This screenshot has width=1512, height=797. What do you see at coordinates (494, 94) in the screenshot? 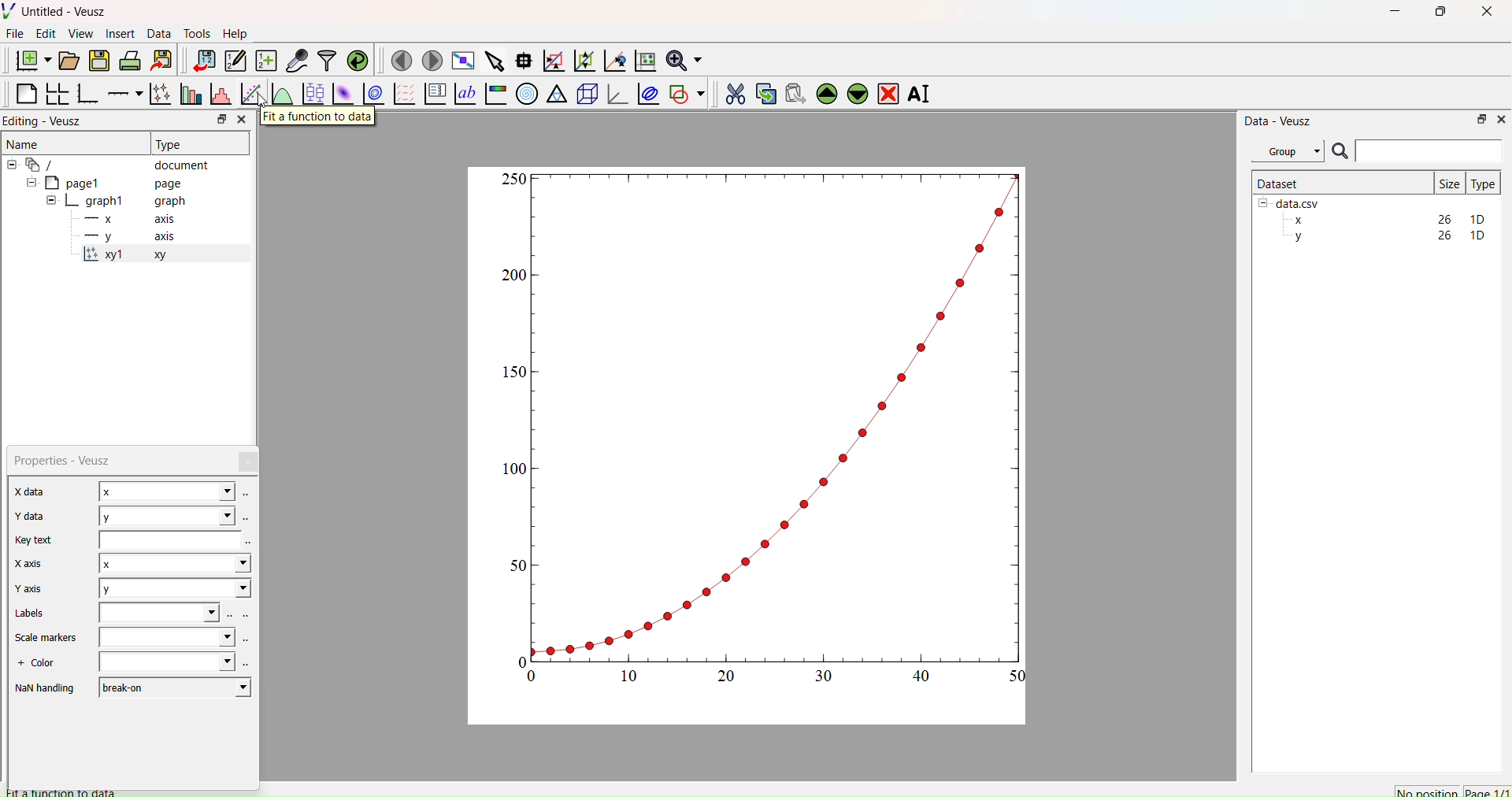
I see `Image color bar` at bounding box center [494, 94].